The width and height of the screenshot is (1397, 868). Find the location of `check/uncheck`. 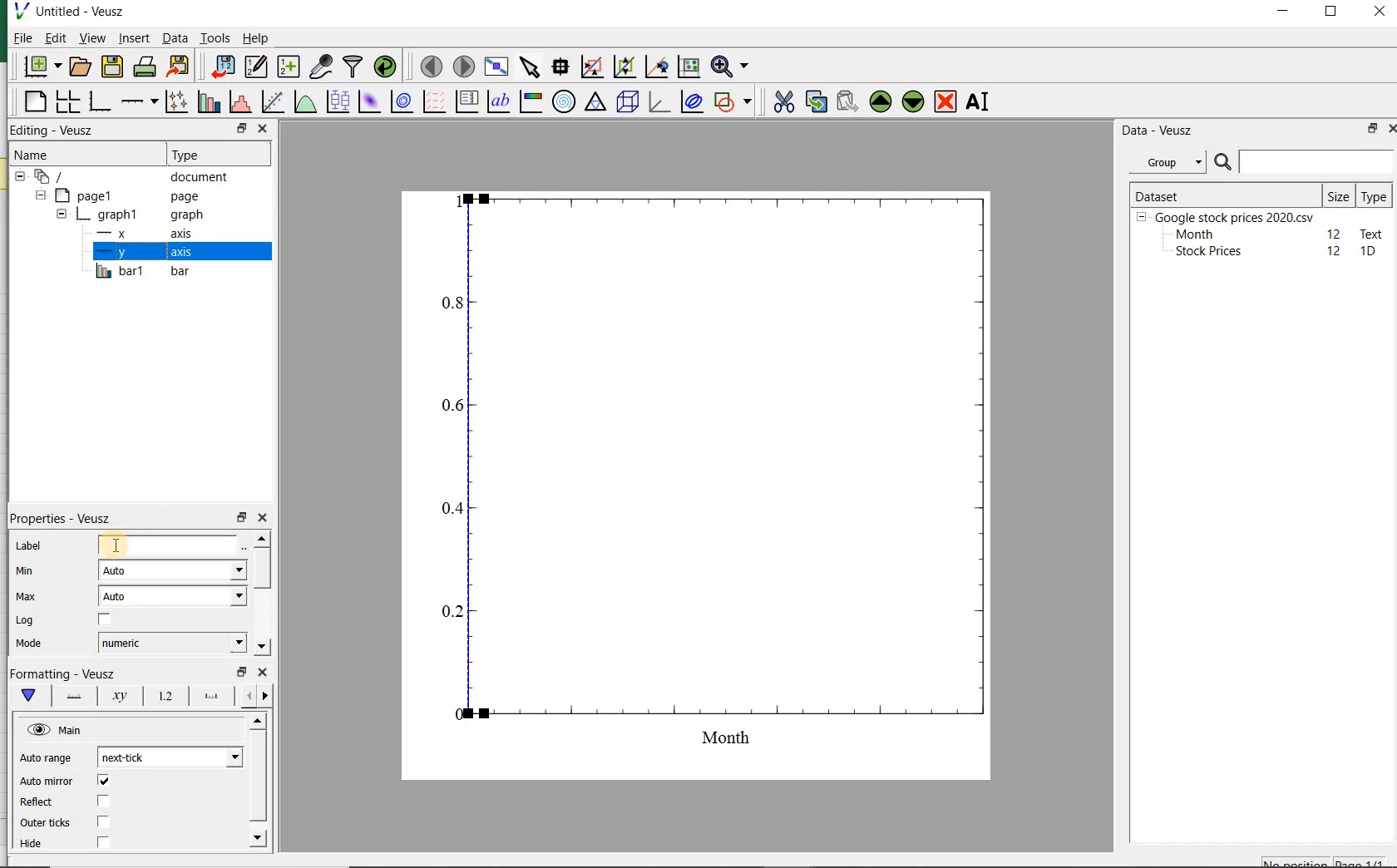

check/uncheck is located at coordinates (104, 622).